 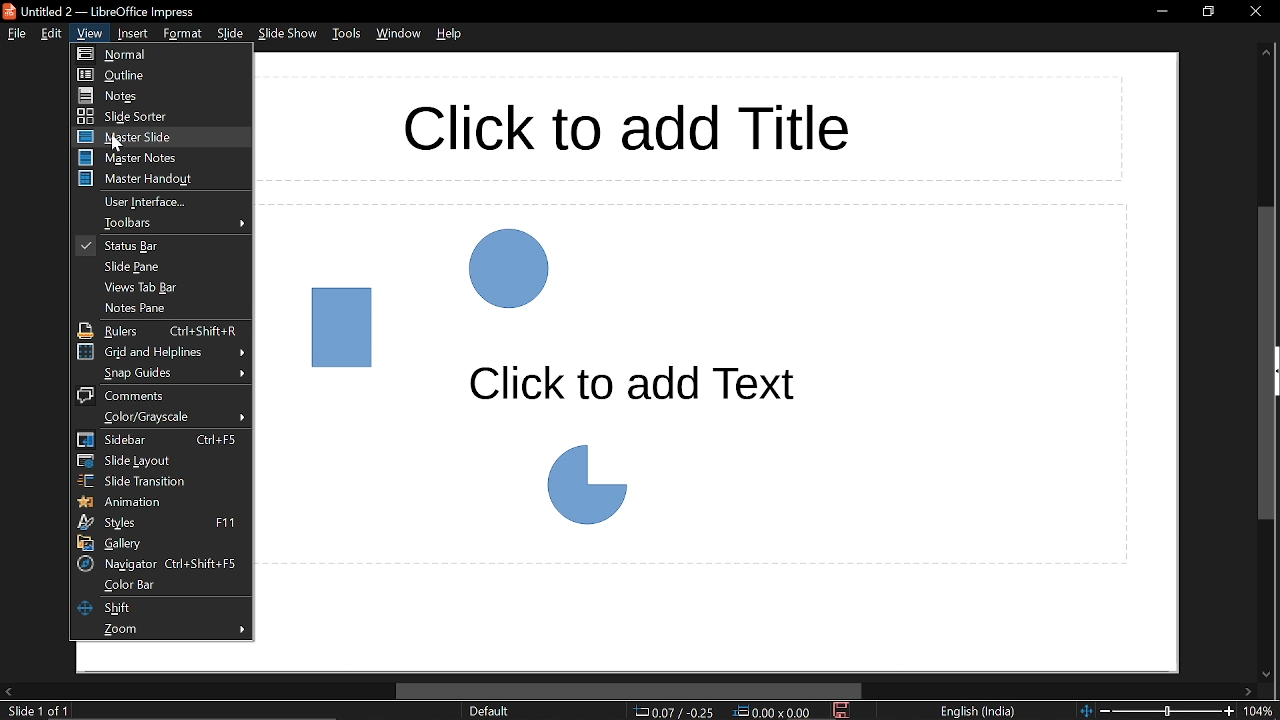 I want to click on MOve down, so click(x=1267, y=674).